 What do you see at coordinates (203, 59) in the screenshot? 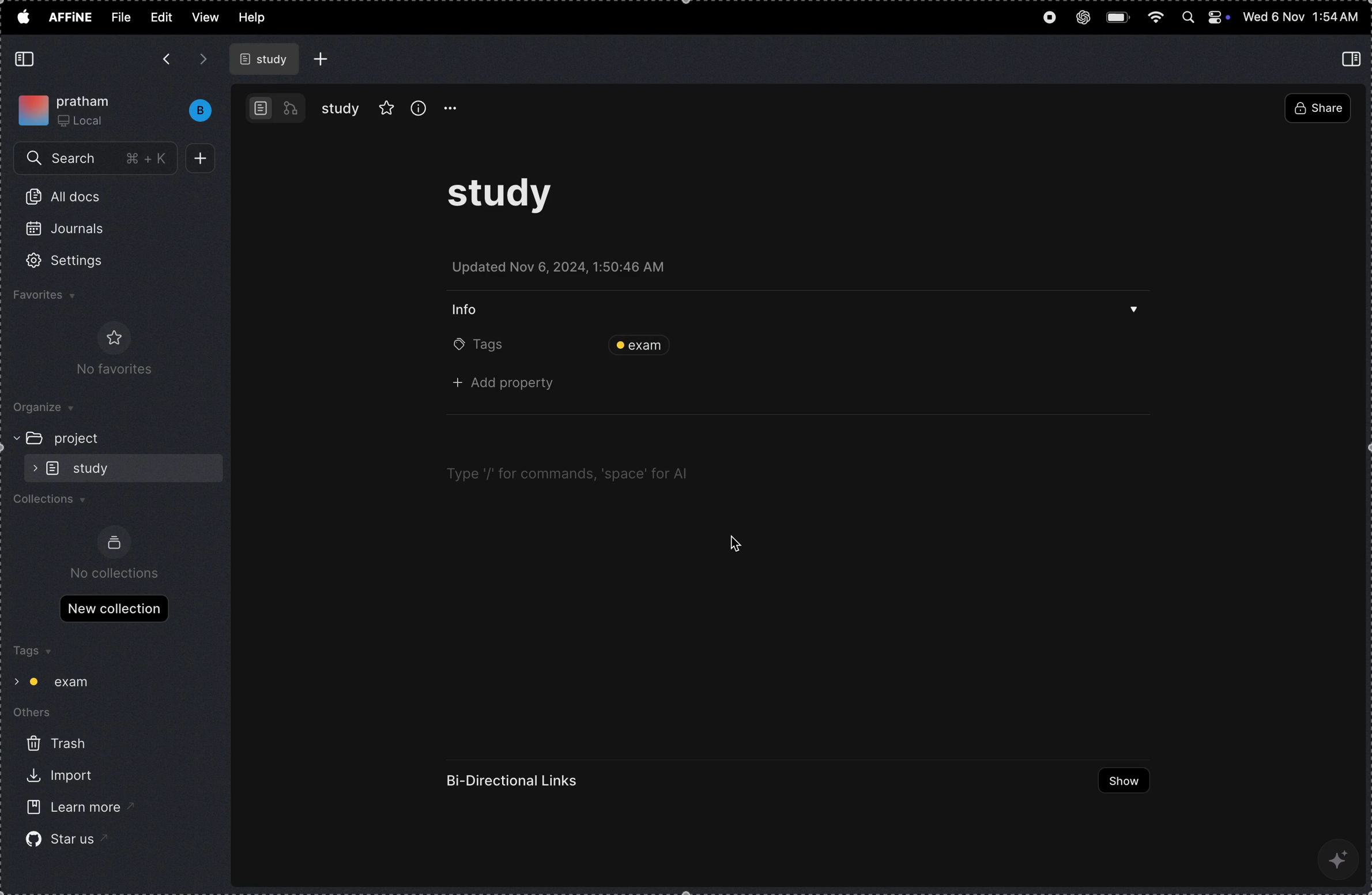
I see `forward` at bounding box center [203, 59].